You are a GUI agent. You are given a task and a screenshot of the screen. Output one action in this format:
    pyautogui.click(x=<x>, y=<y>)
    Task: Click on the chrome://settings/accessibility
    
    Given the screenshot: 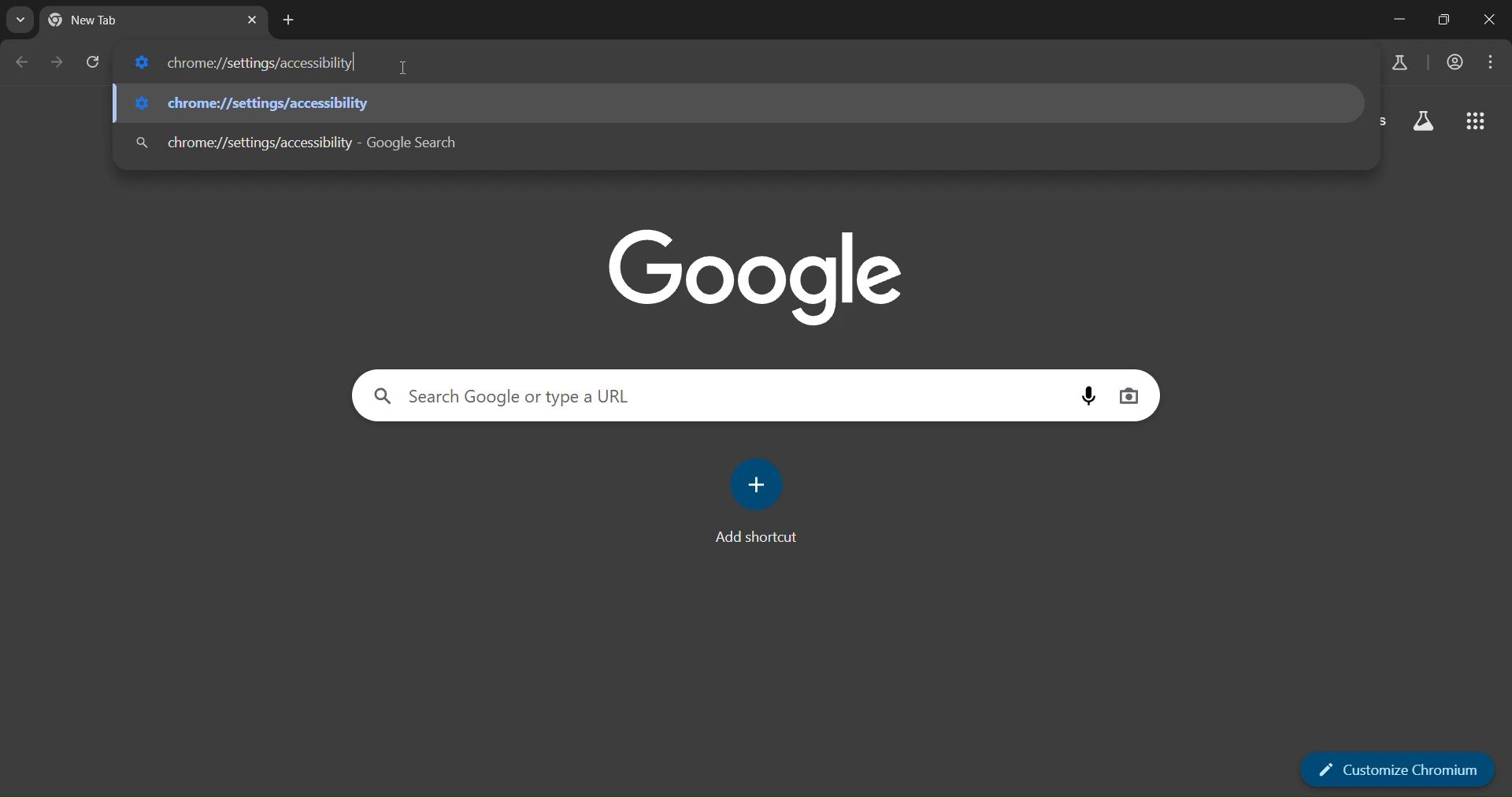 What is the action you would take?
    pyautogui.click(x=254, y=99)
    